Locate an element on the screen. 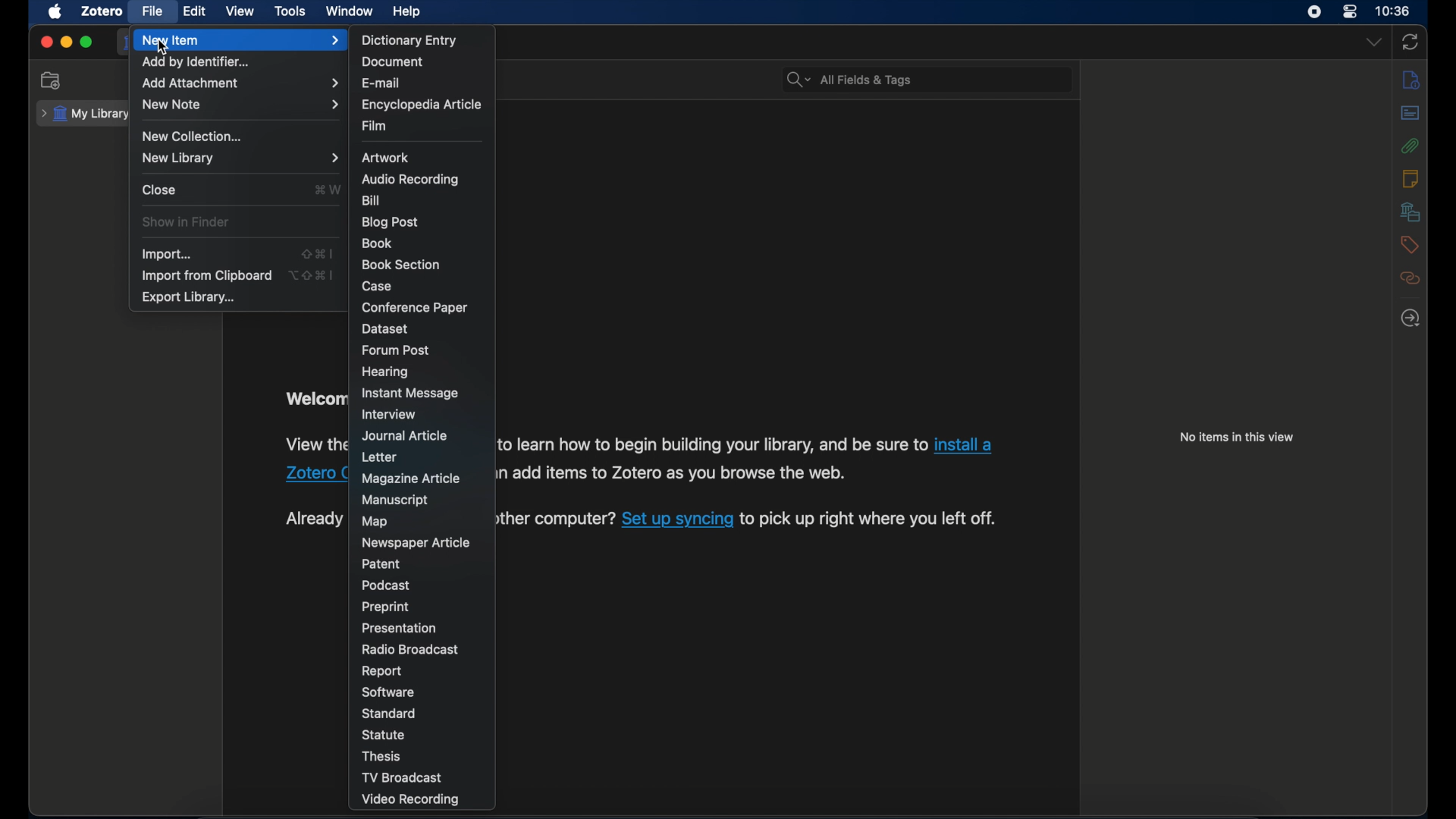 The width and height of the screenshot is (1456, 819). forum post is located at coordinates (396, 350).